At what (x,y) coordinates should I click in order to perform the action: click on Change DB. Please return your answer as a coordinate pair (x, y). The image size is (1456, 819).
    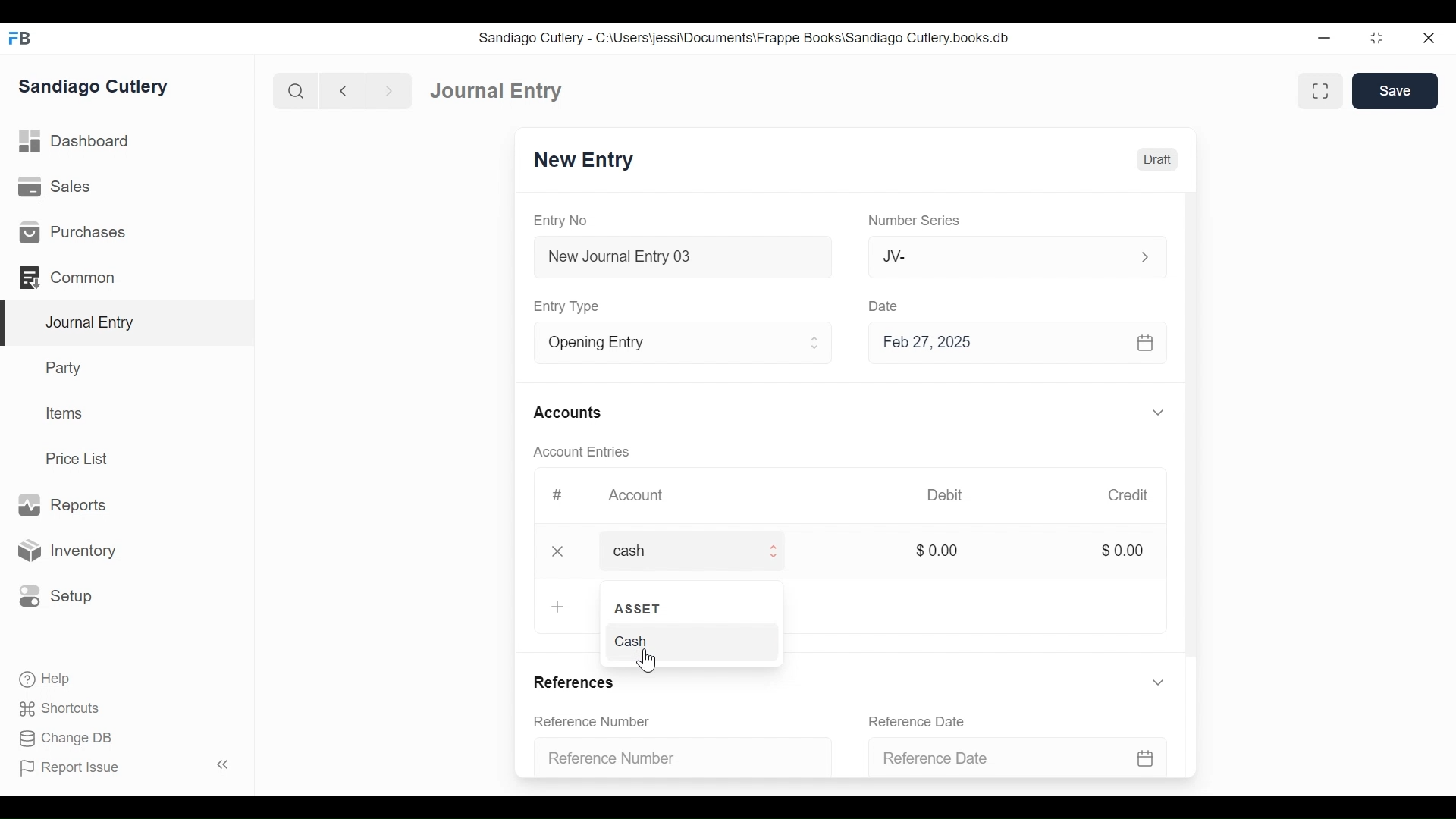
    Looking at the image, I should click on (64, 739).